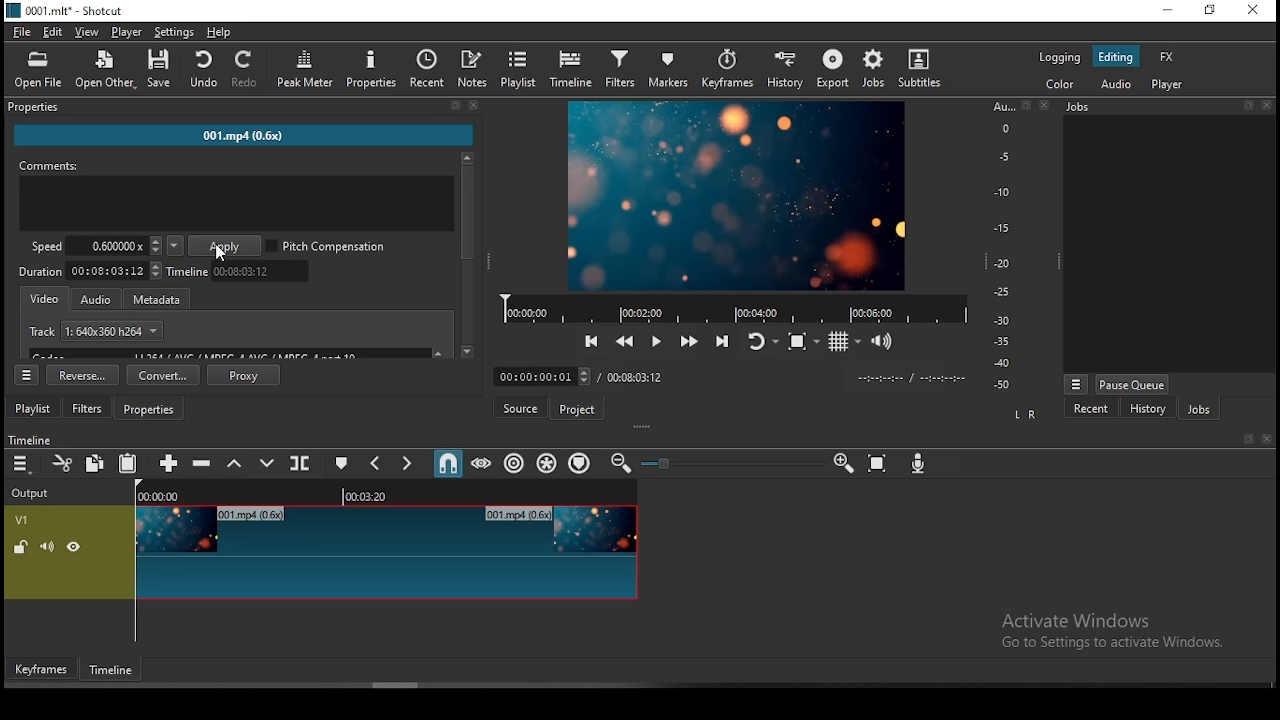 This screenshot has height=720, width=1280. I want to click on icon and file name, so click(65, 11).